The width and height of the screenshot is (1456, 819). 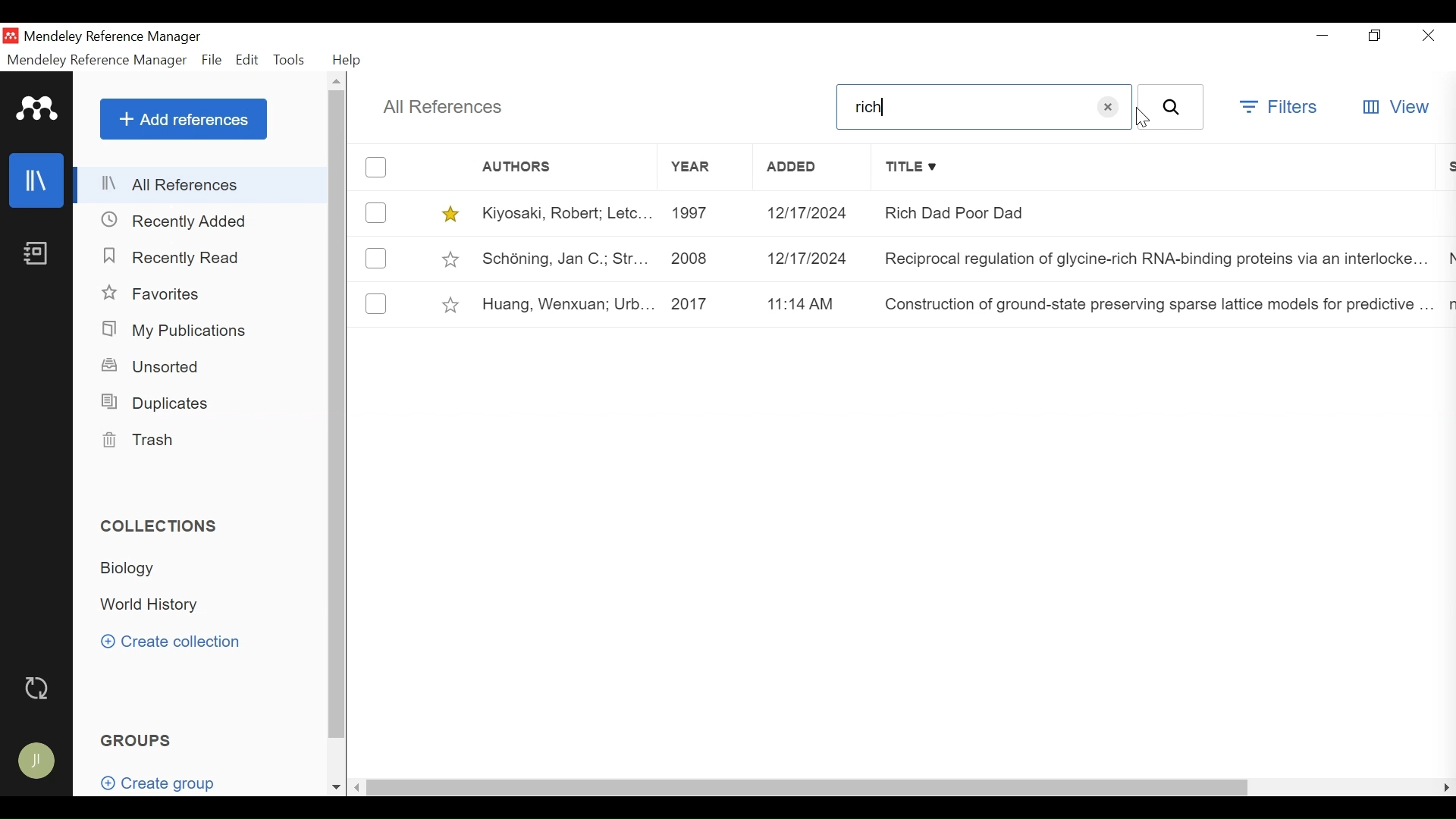 What do you see at coordinates (290, 59) in the screenshot?
I see `Tools` at bounding box center [290, 59].